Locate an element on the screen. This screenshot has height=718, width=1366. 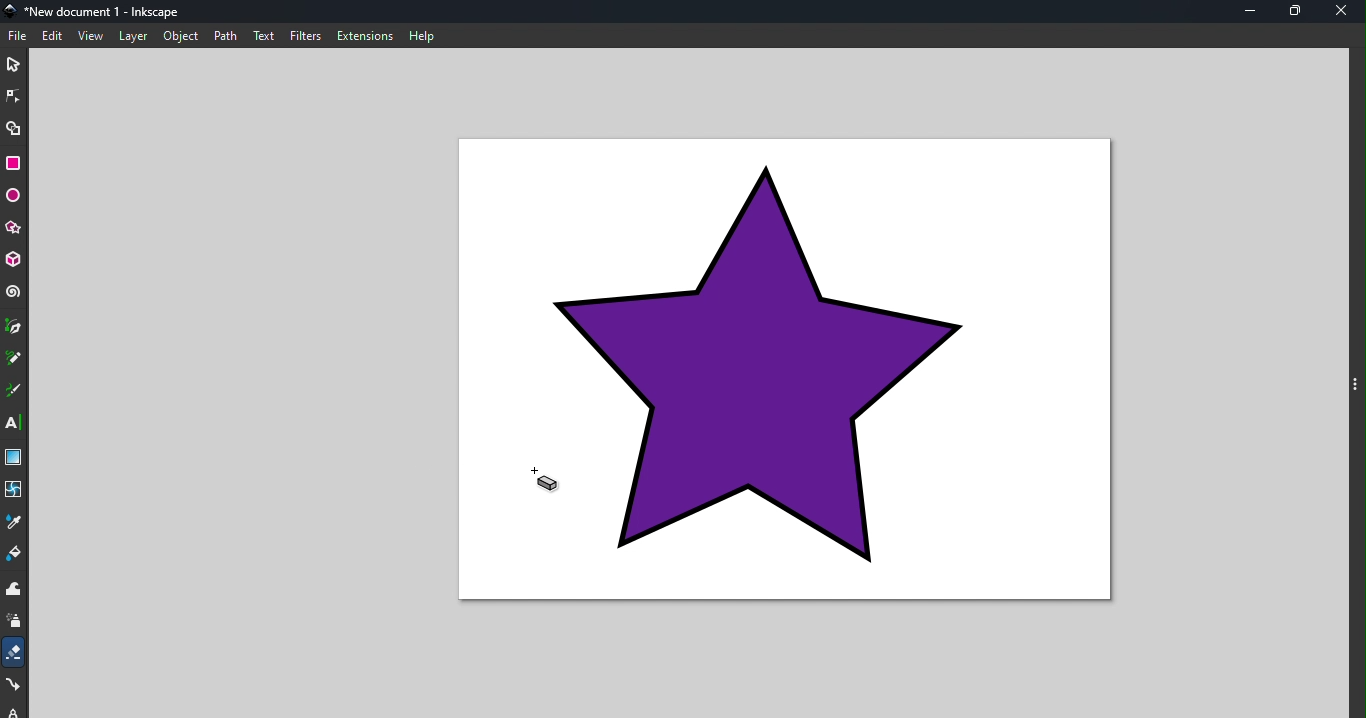
maximize is located at coordinates (1299, 12).